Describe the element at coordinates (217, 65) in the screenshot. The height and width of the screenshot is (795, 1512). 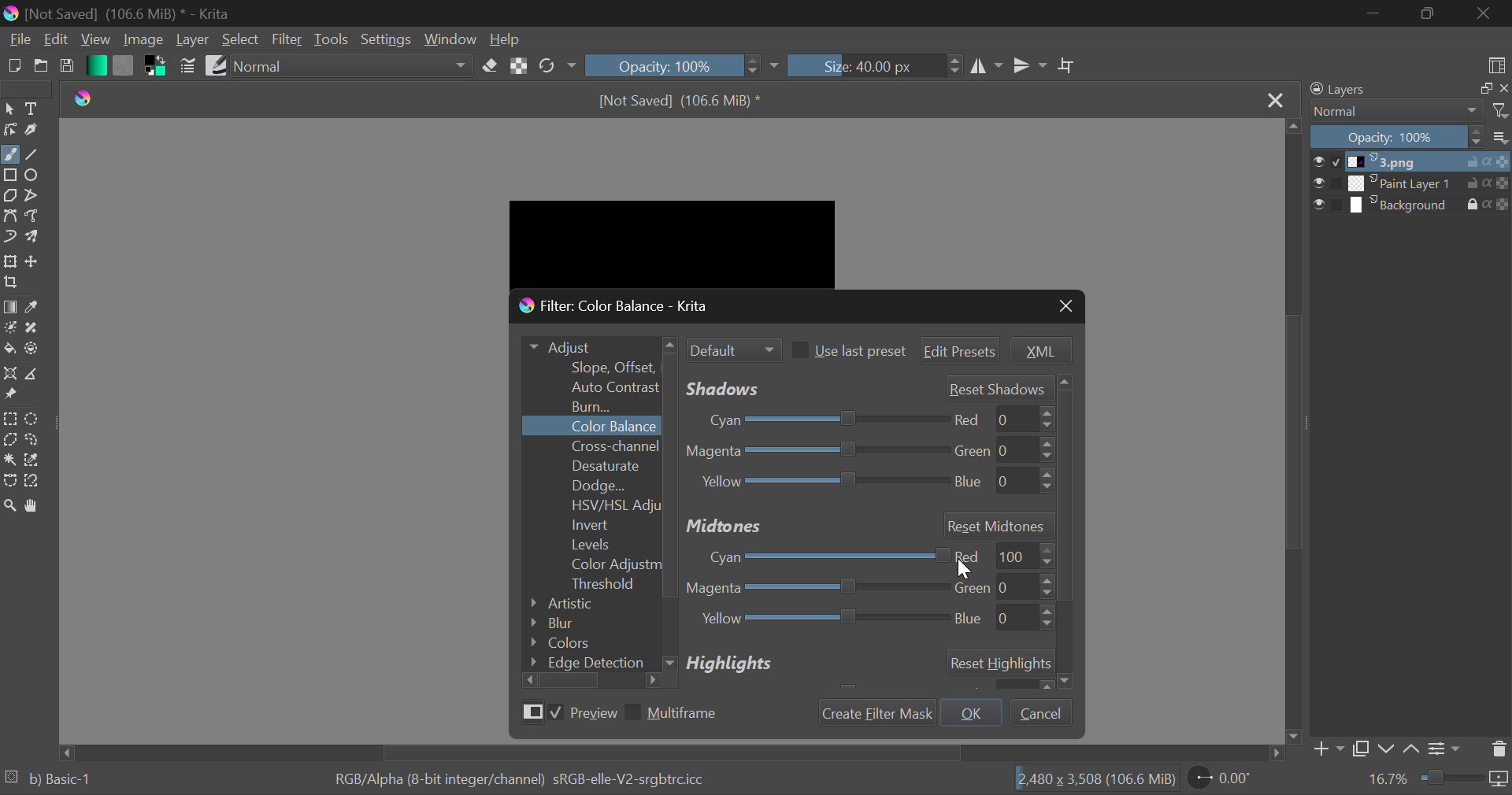
I see `Brush Presets` at that location.